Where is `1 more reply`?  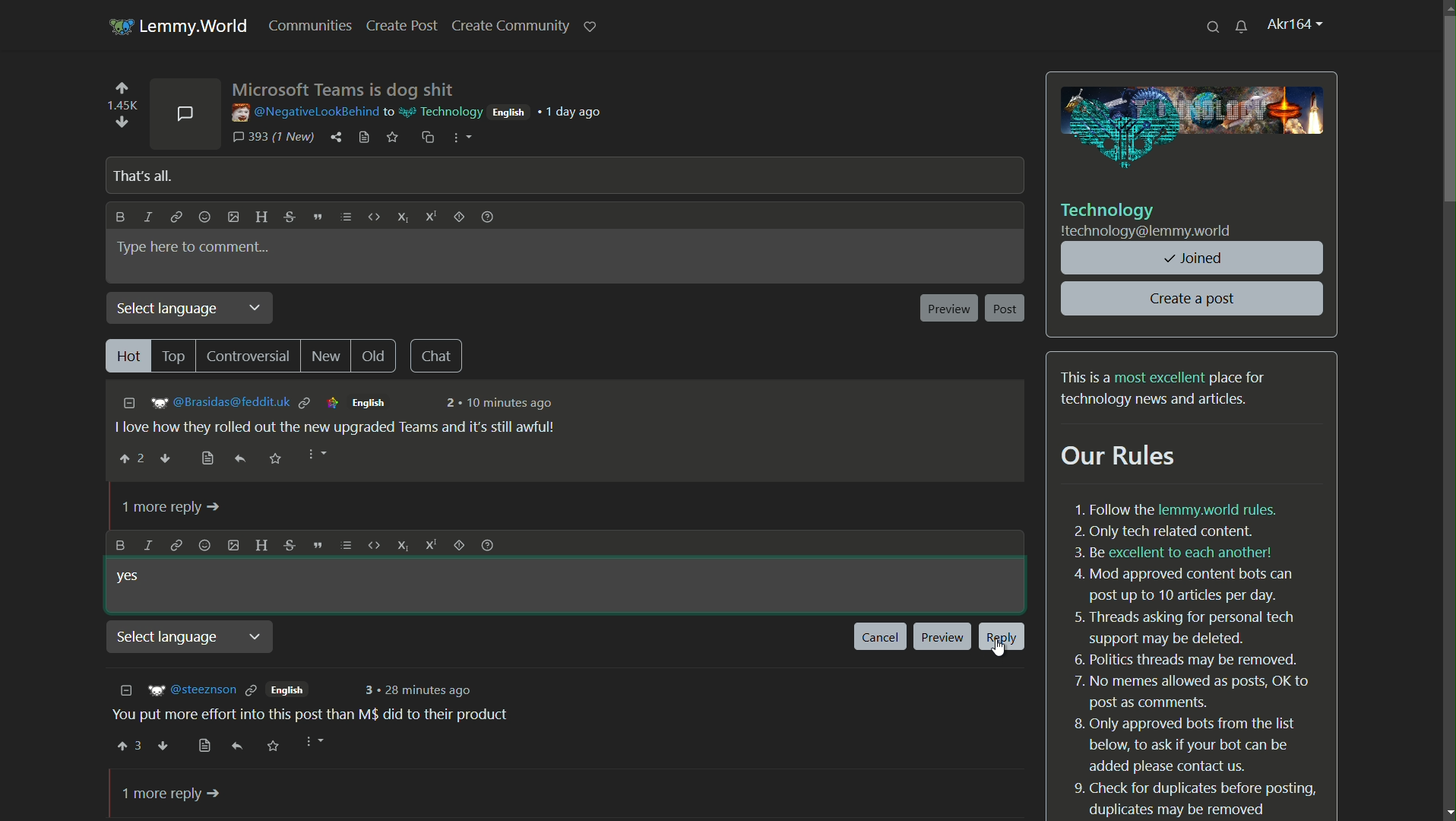
1 more reply is located at coordinates (173, 794).